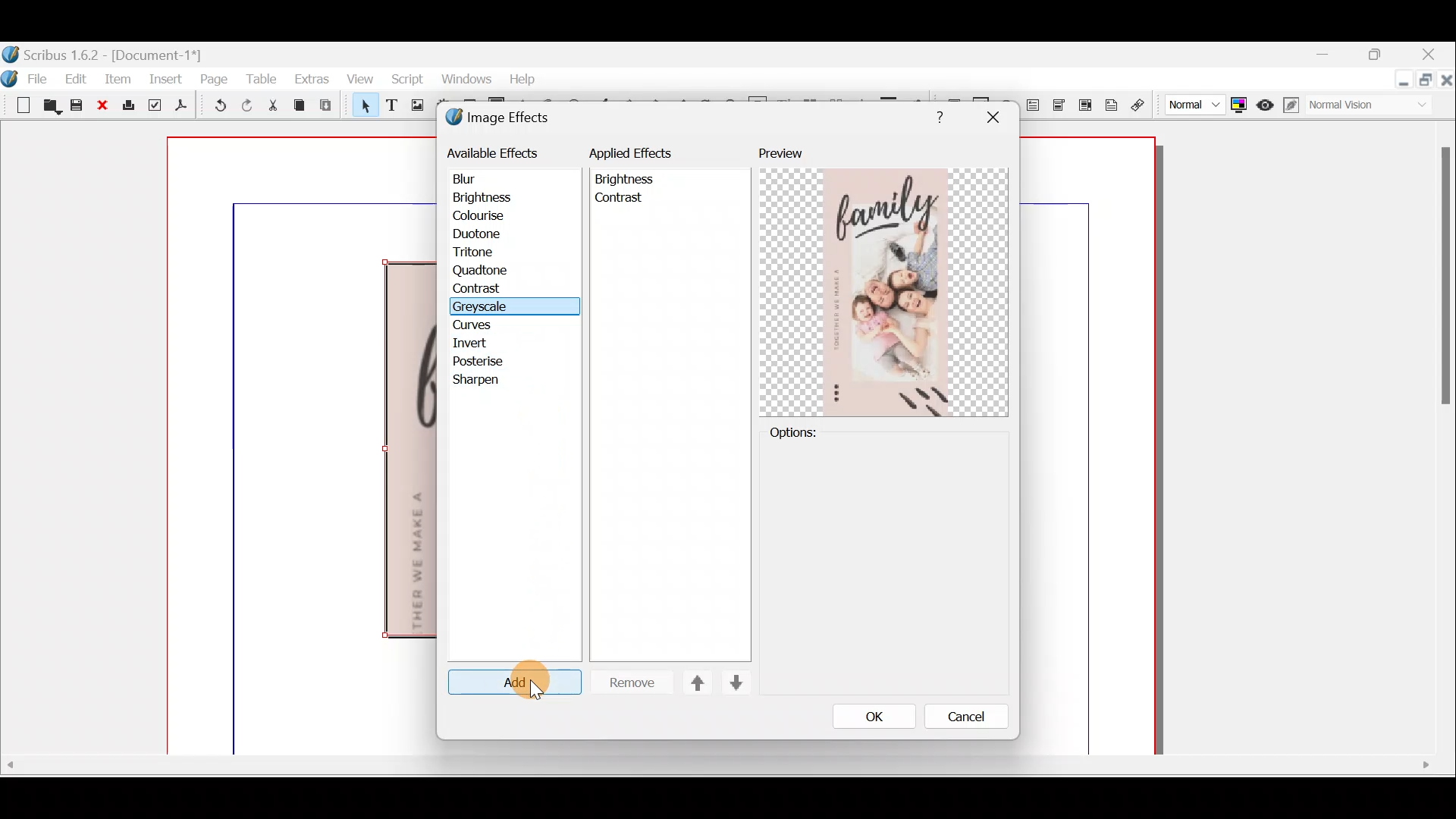 This screenshot has width=1456, height=819. I want to click on quadtone, so click(485, 271).